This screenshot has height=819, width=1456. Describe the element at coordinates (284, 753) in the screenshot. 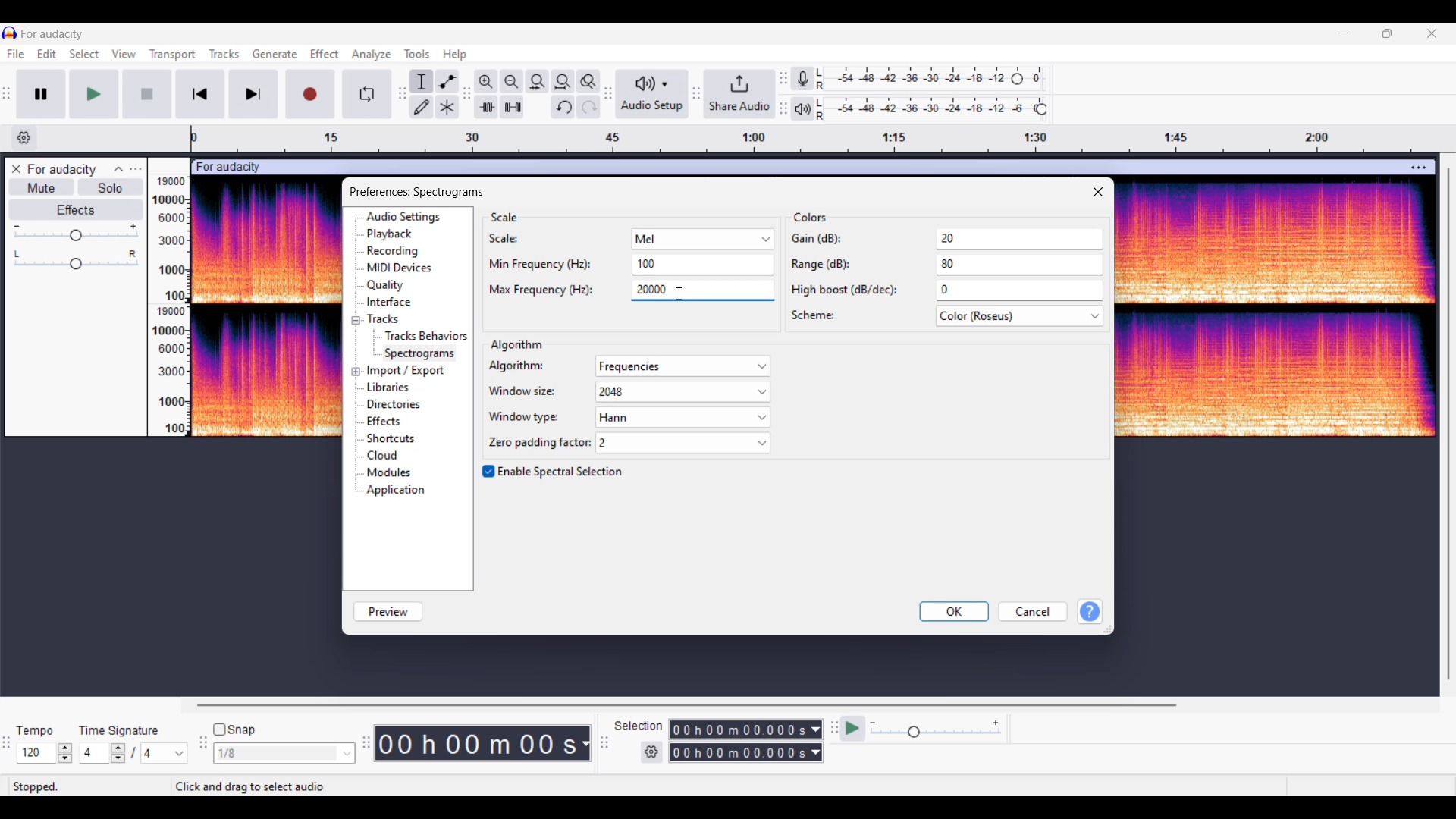

I see `Snap options` at that location.